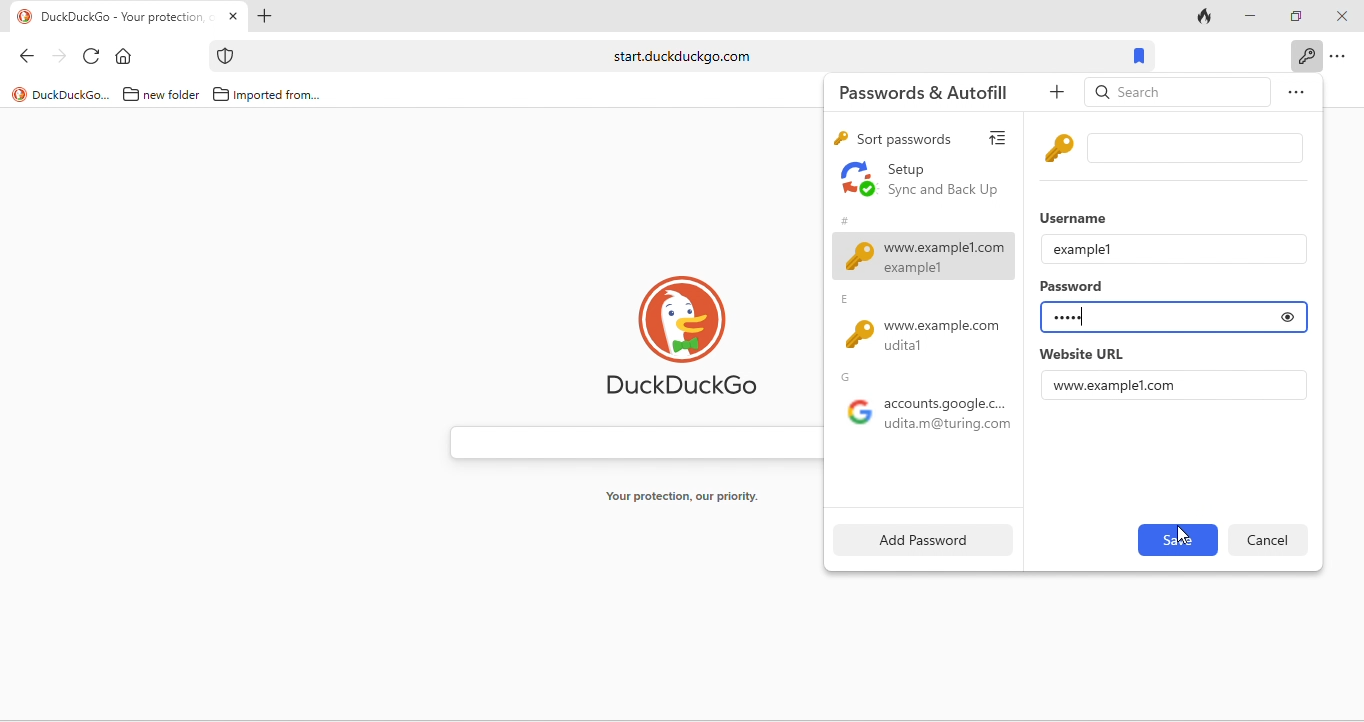 Image resolution: width=1364 pixels, height=722 pixels. What do you see at coordinates (850, 377) in the screenshot?
I see `g` at bounding box center [850, 377].